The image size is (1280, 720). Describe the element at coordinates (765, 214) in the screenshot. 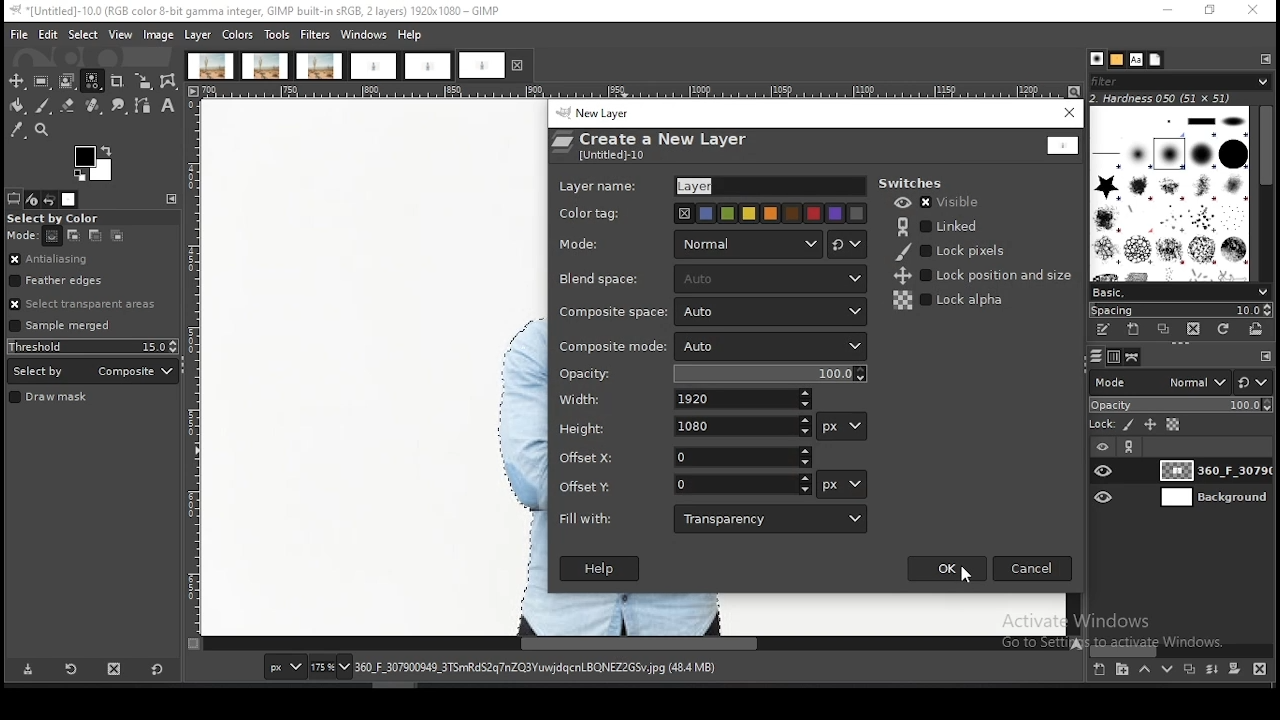

I see `color tag` at that location.